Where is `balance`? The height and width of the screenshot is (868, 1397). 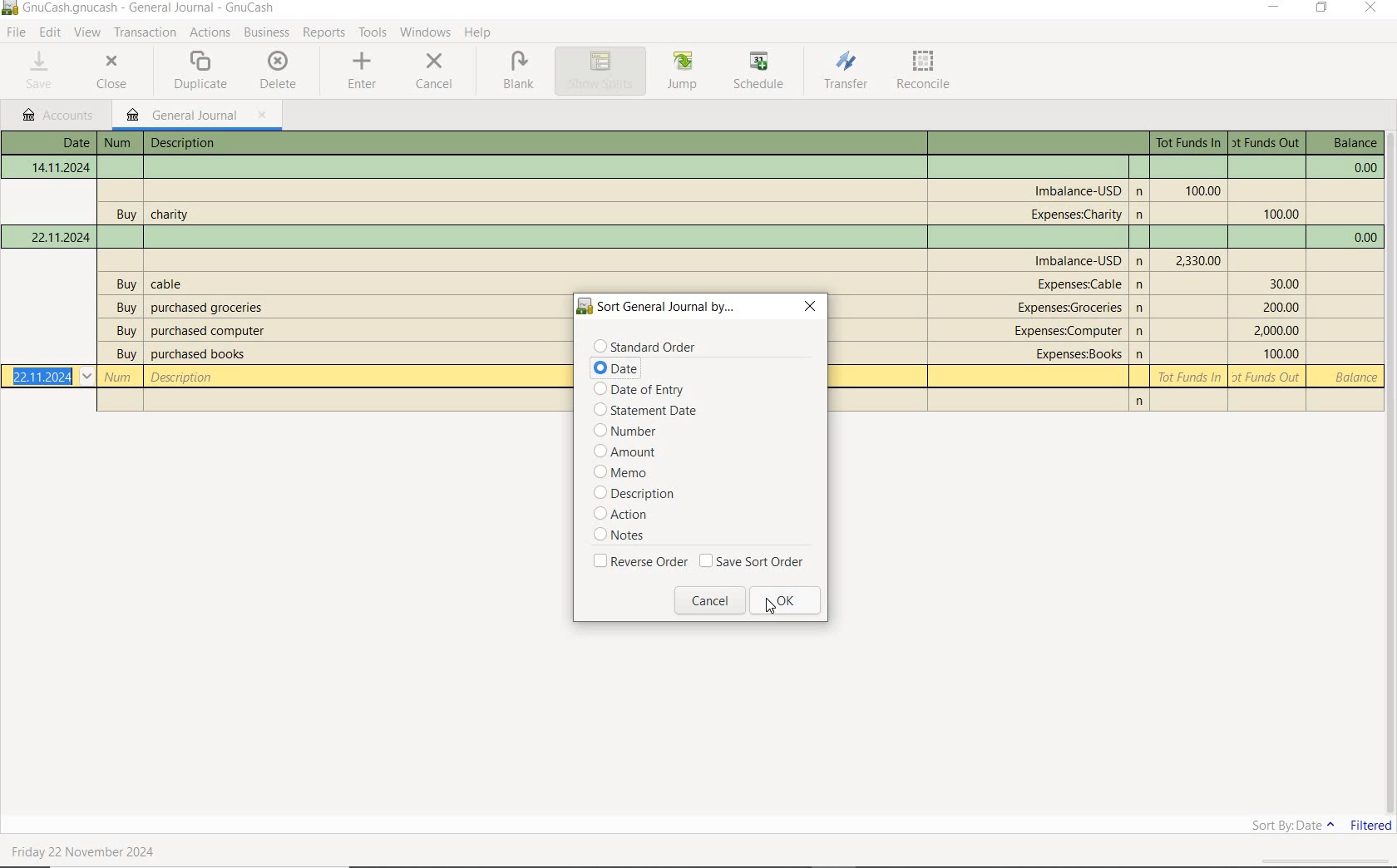
balance is located at coordinates (1361, 169).